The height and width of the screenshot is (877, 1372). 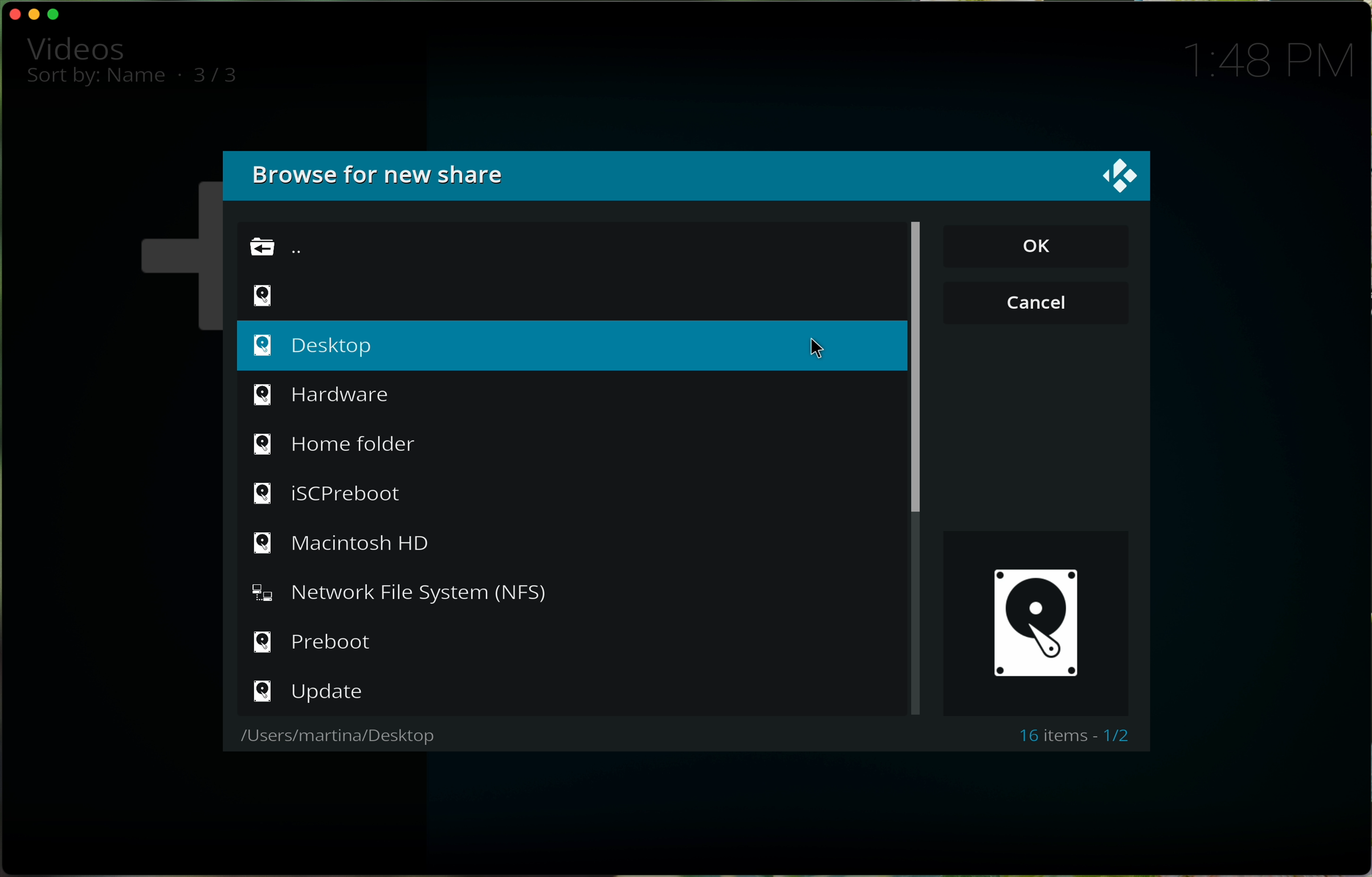 What do you see at coordinates (273, 248) in the screenshot?
I see `go back` at bounding box center [273, 248].